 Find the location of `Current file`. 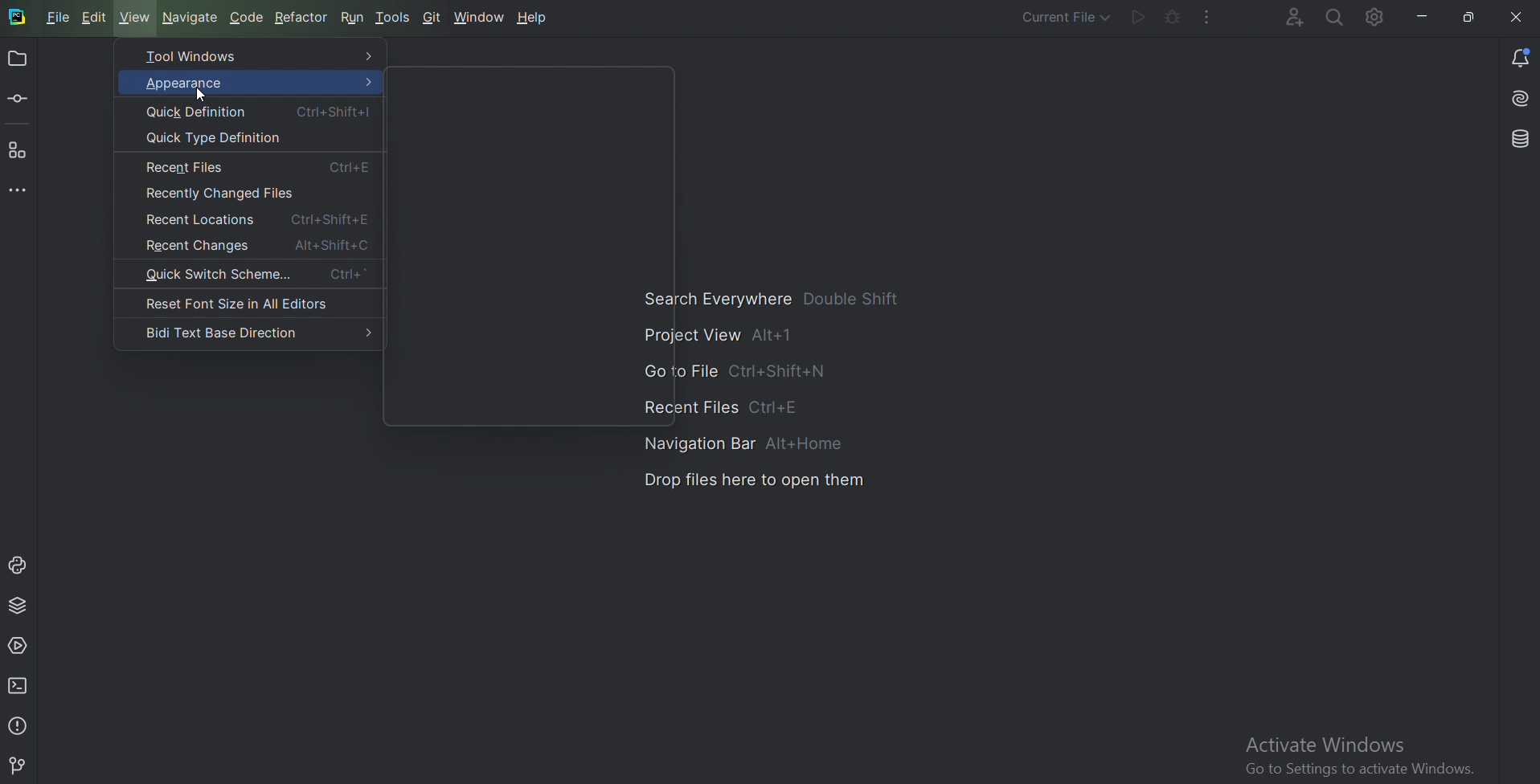

Current file is located at coordinates (1054, 18).